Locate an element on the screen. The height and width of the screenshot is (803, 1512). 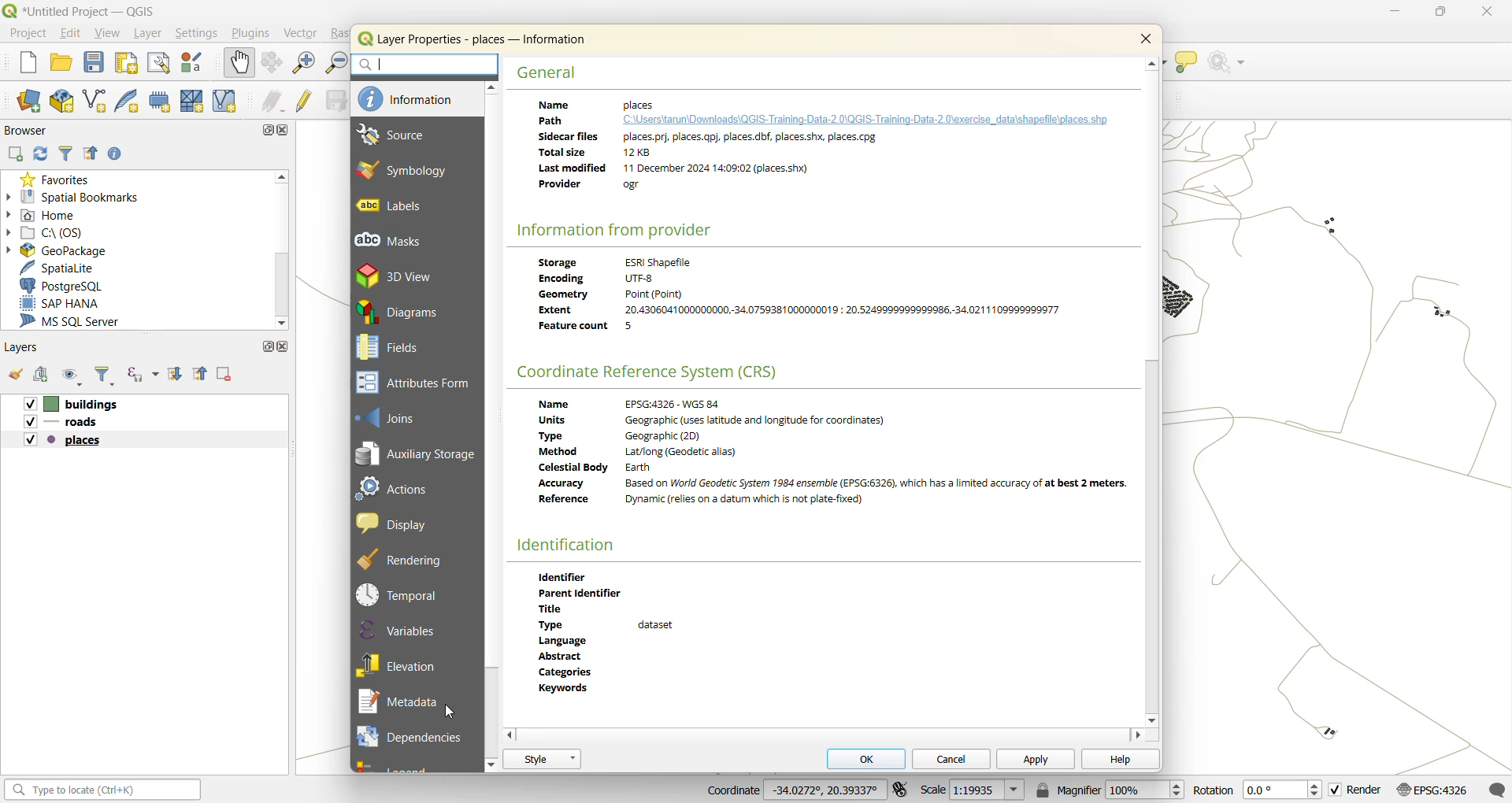
crs is located at coordinates (1431, 790).